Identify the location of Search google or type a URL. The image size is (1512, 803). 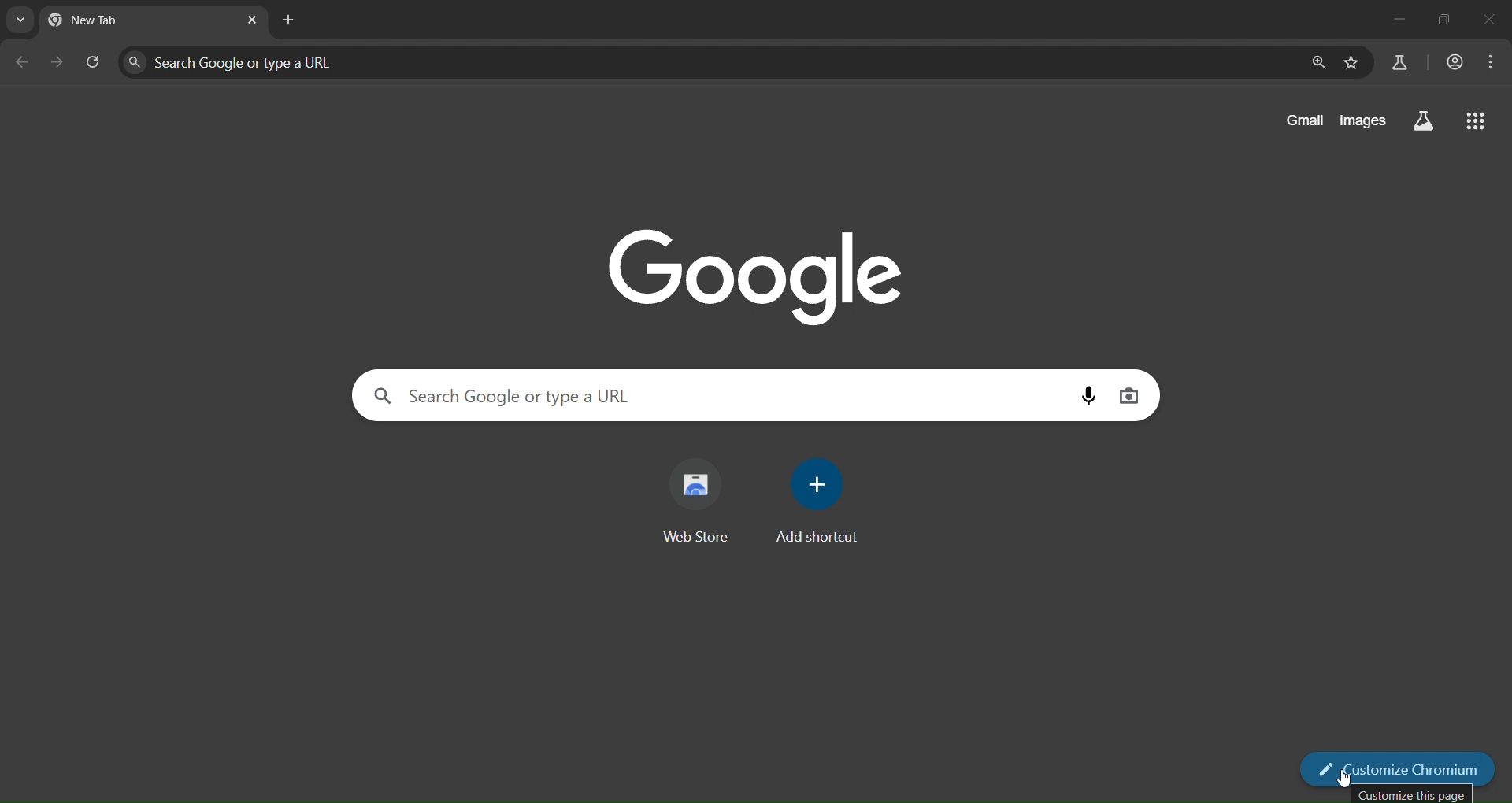
(724, 396).